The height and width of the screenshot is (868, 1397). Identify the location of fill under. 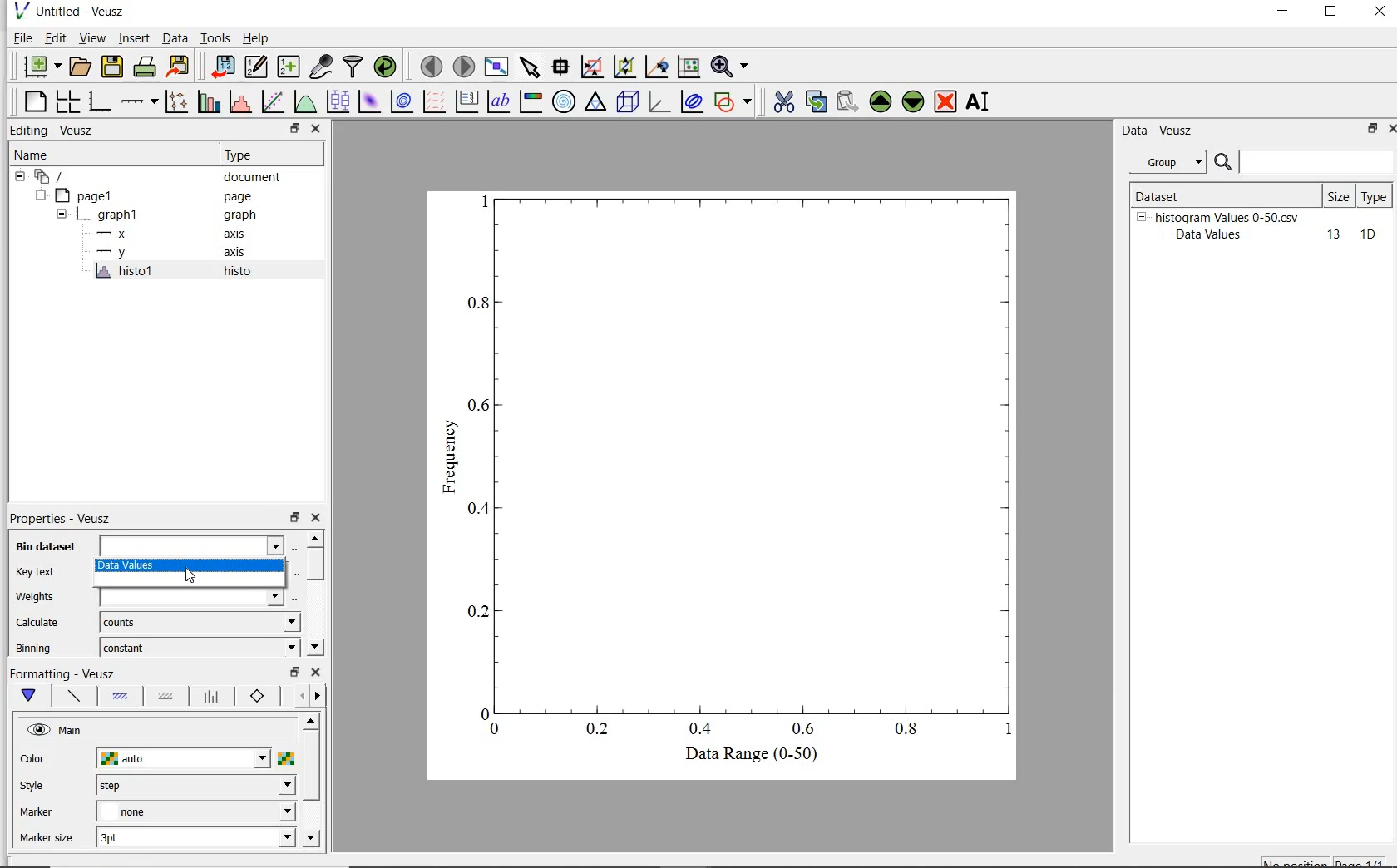
(121, 696).